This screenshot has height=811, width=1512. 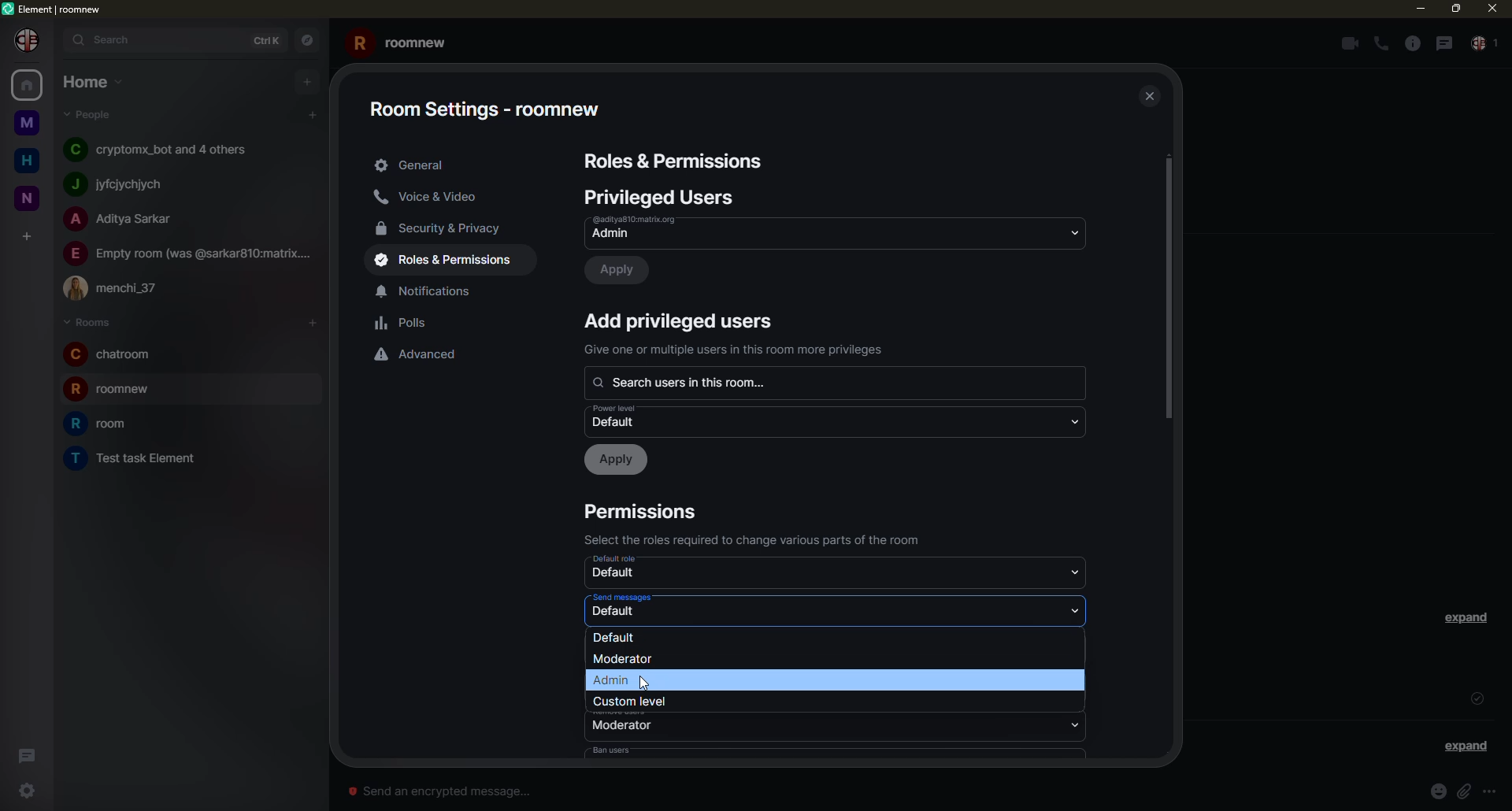 What do you see at coordinates (26, 120) in the screenshot?
I see `space` at bounding box center [26, 120].